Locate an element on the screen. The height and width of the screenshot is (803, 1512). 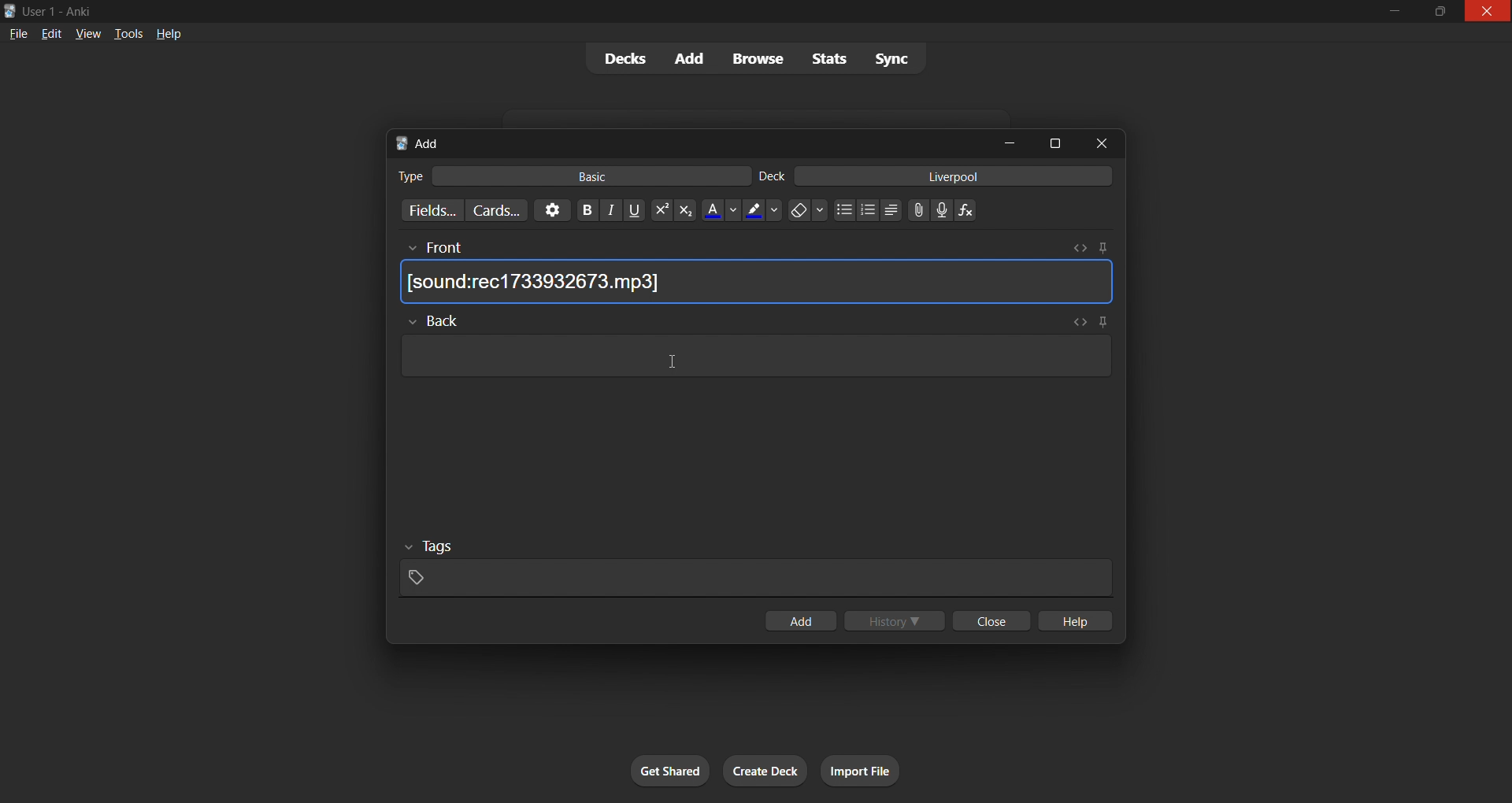
help is located at coordinates (167, 31).